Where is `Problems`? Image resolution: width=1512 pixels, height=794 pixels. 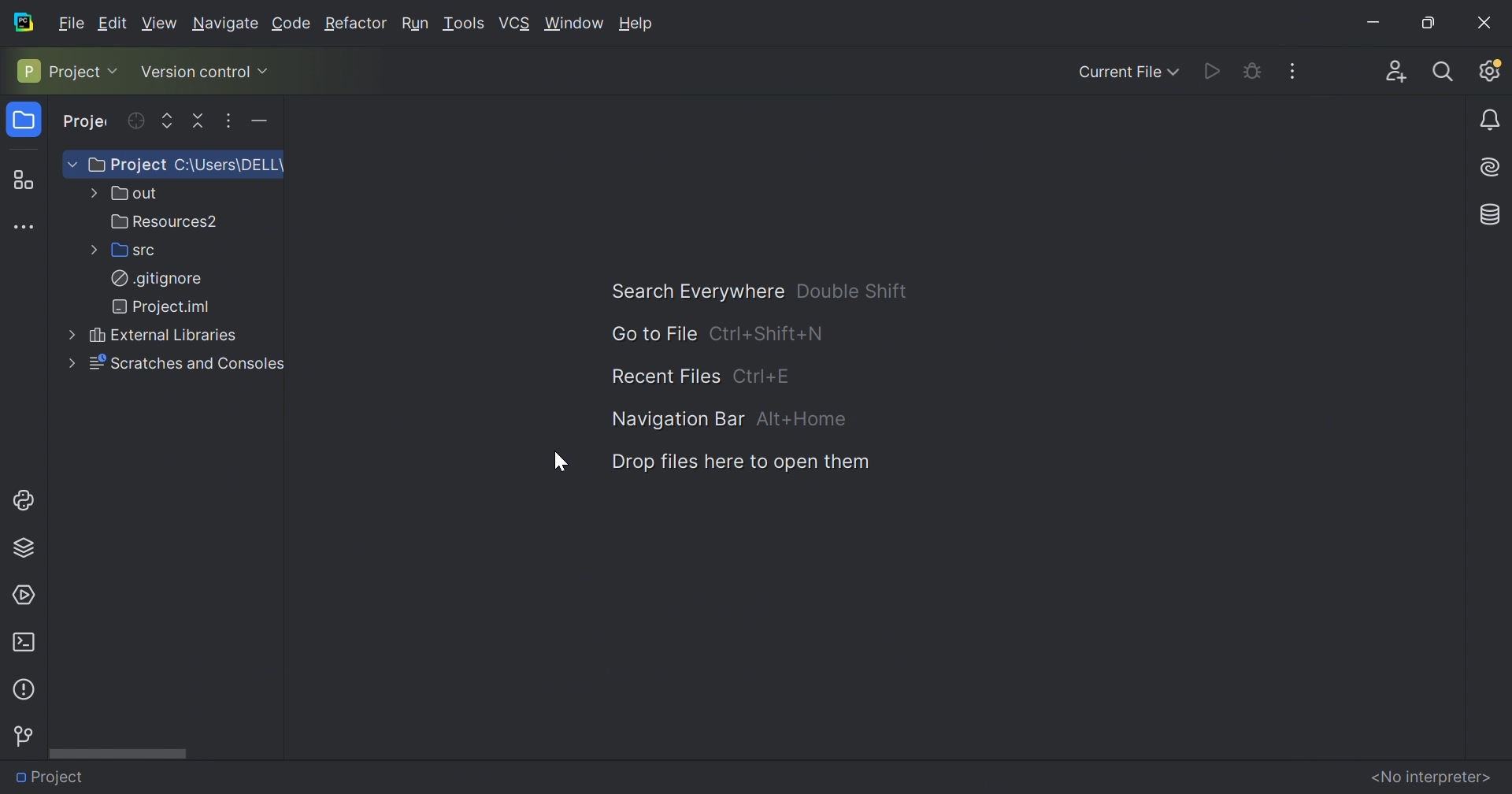 Problems is located at coordinates (22, 688).